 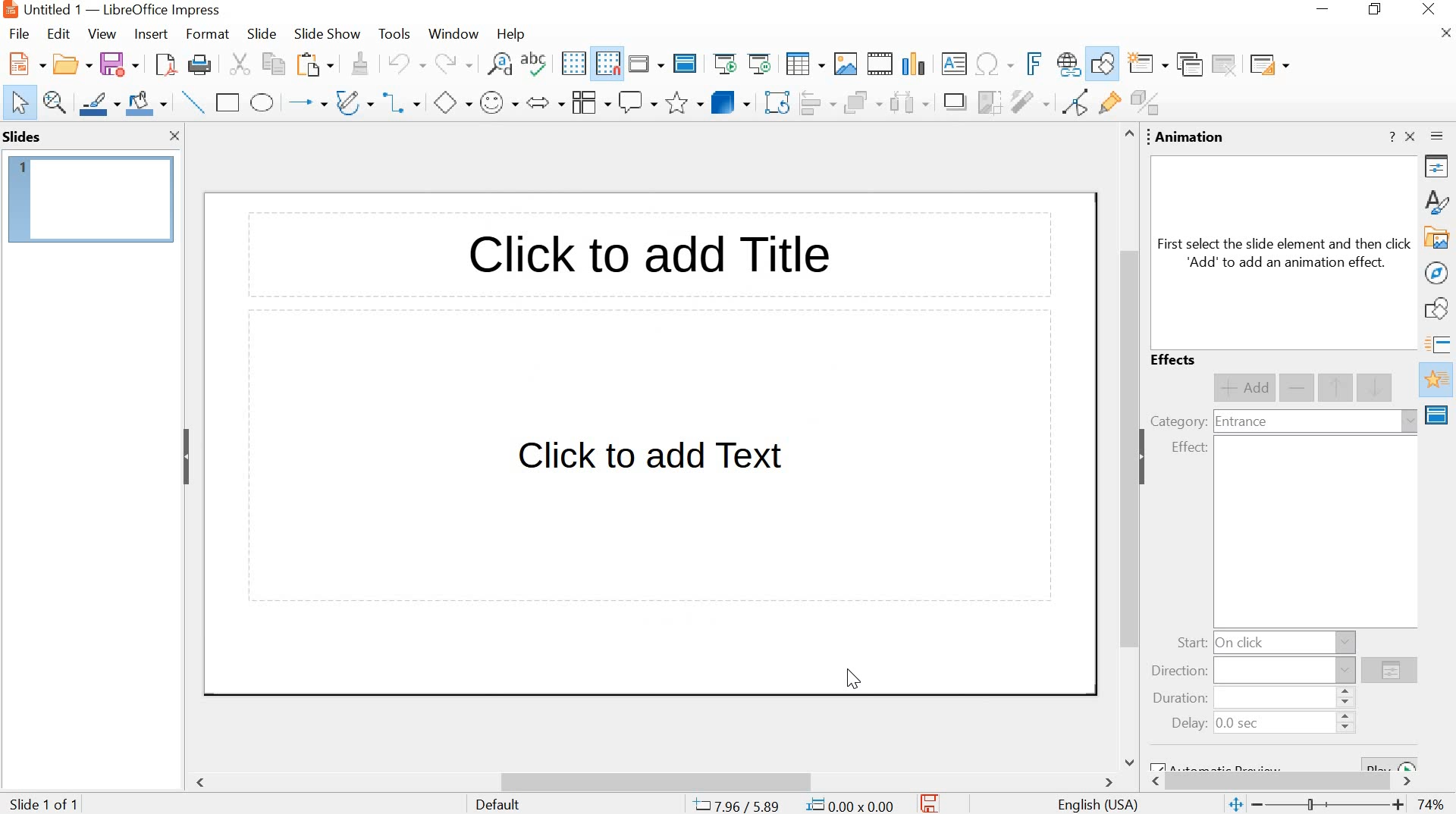 What do you see at coordinates (653, 462) in the screenshot?
I see `click to add text` at bounding box center [653, 462].